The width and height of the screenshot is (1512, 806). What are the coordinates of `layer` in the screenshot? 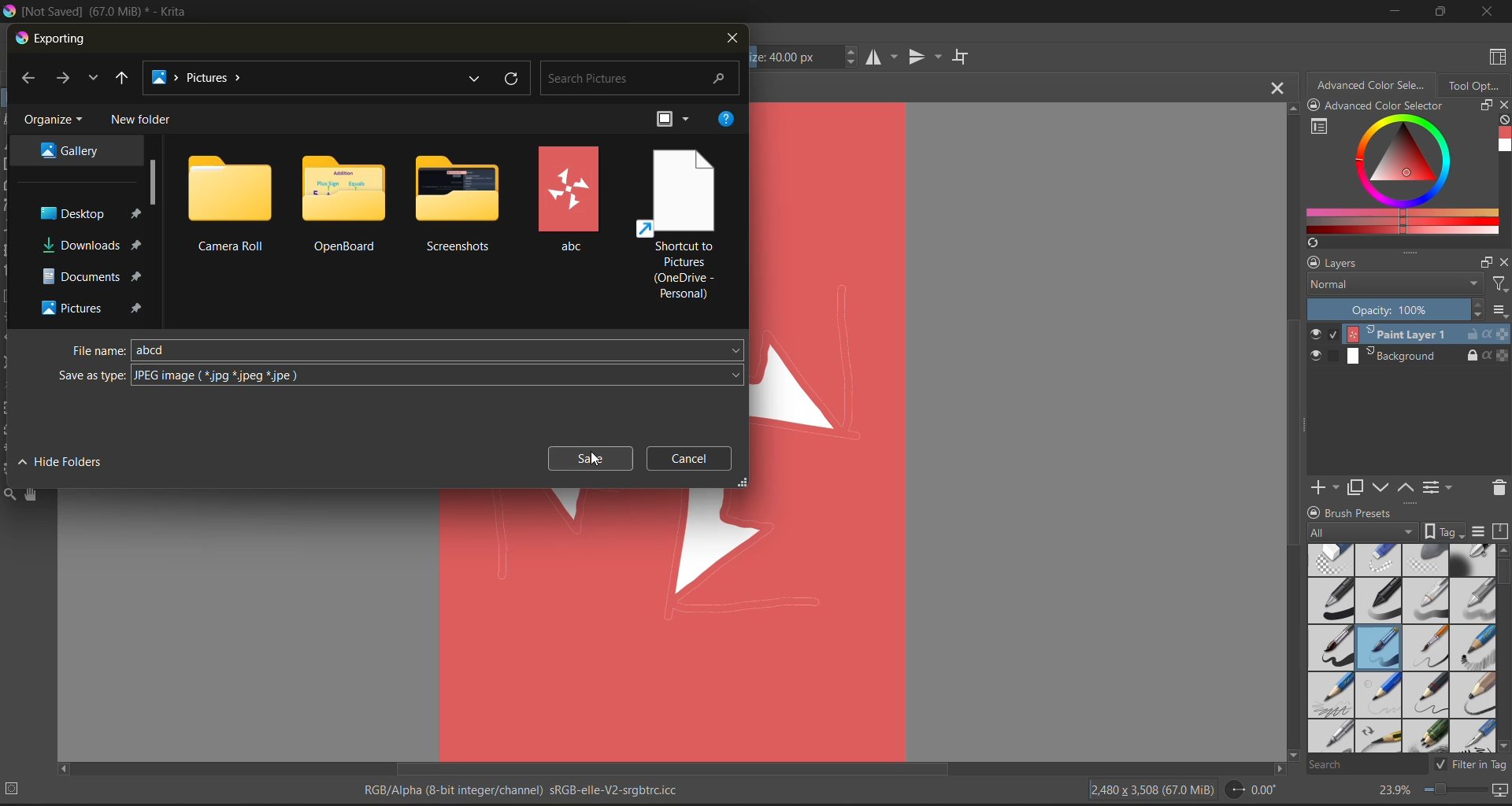 It's located at (1407, 355).